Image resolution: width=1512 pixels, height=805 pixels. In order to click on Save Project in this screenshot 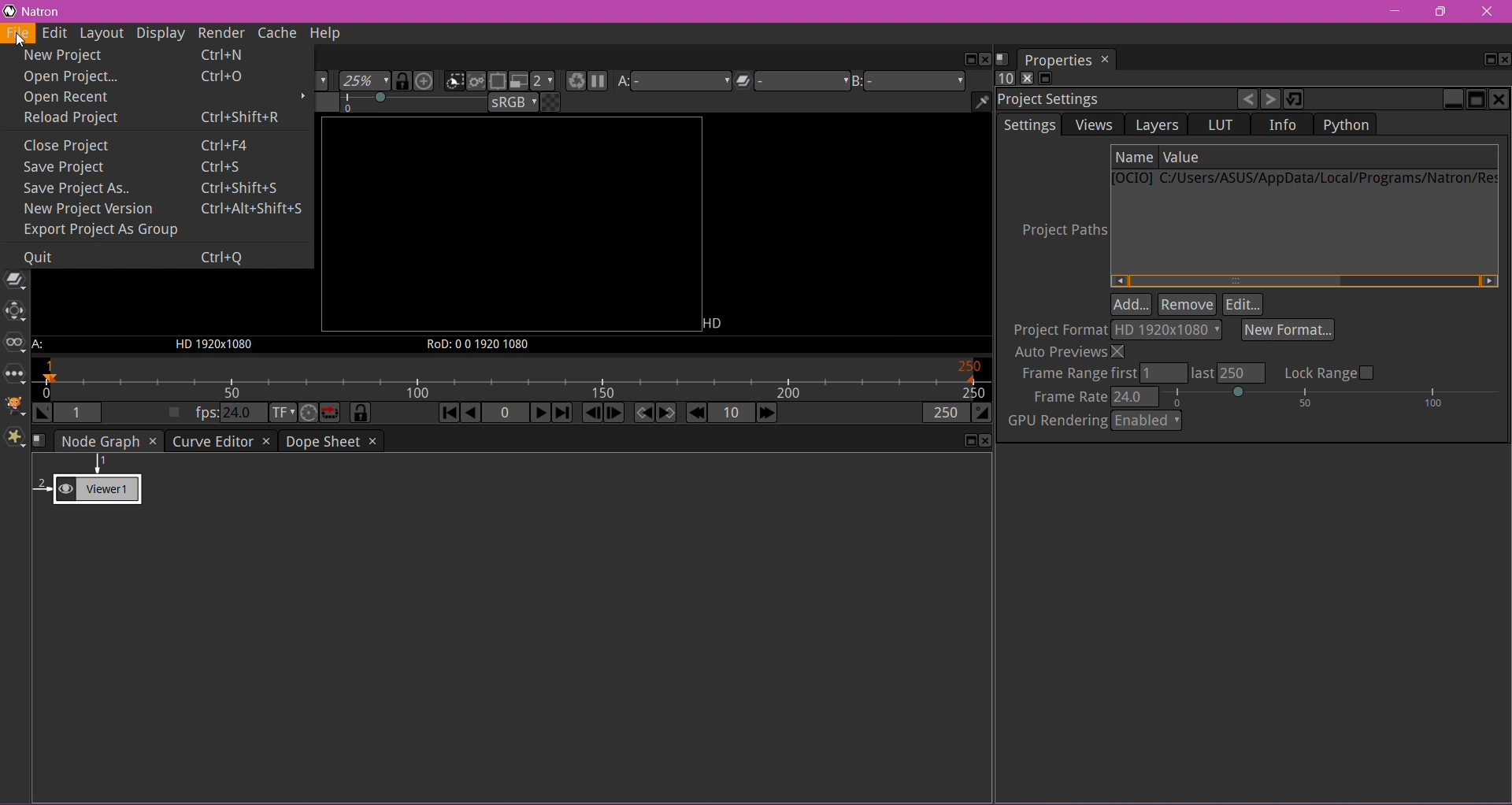, I will do `click(143, 169)`.